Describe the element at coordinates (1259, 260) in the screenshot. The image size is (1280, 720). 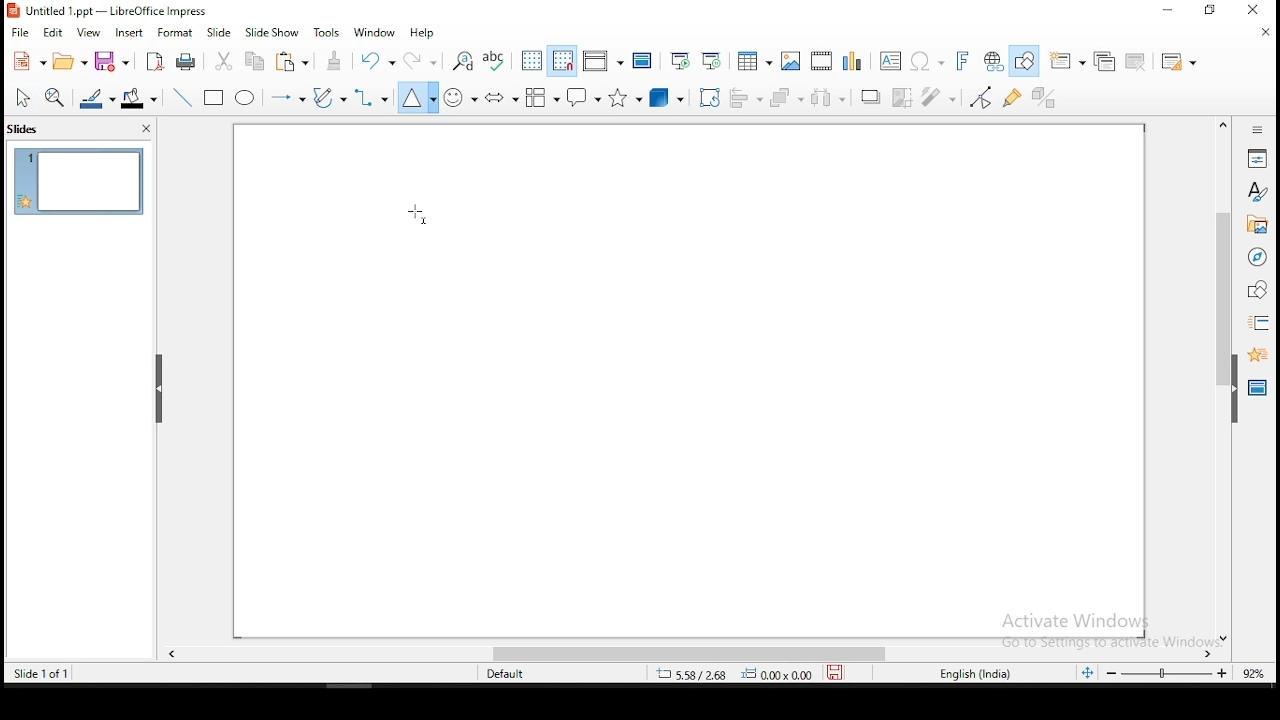
I see `navigator` at that location.